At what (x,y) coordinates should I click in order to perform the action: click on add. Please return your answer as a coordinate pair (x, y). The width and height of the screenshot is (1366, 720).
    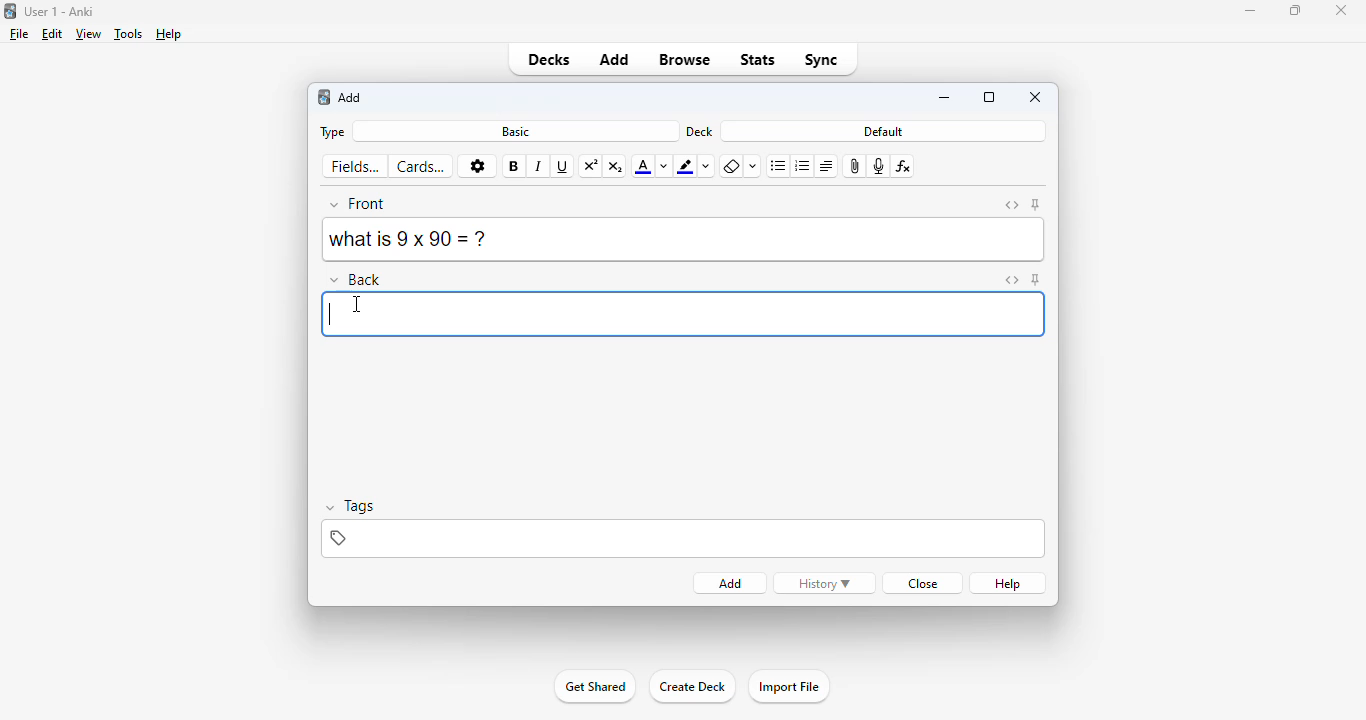
    Looking at the image, I should click on (731, 584).